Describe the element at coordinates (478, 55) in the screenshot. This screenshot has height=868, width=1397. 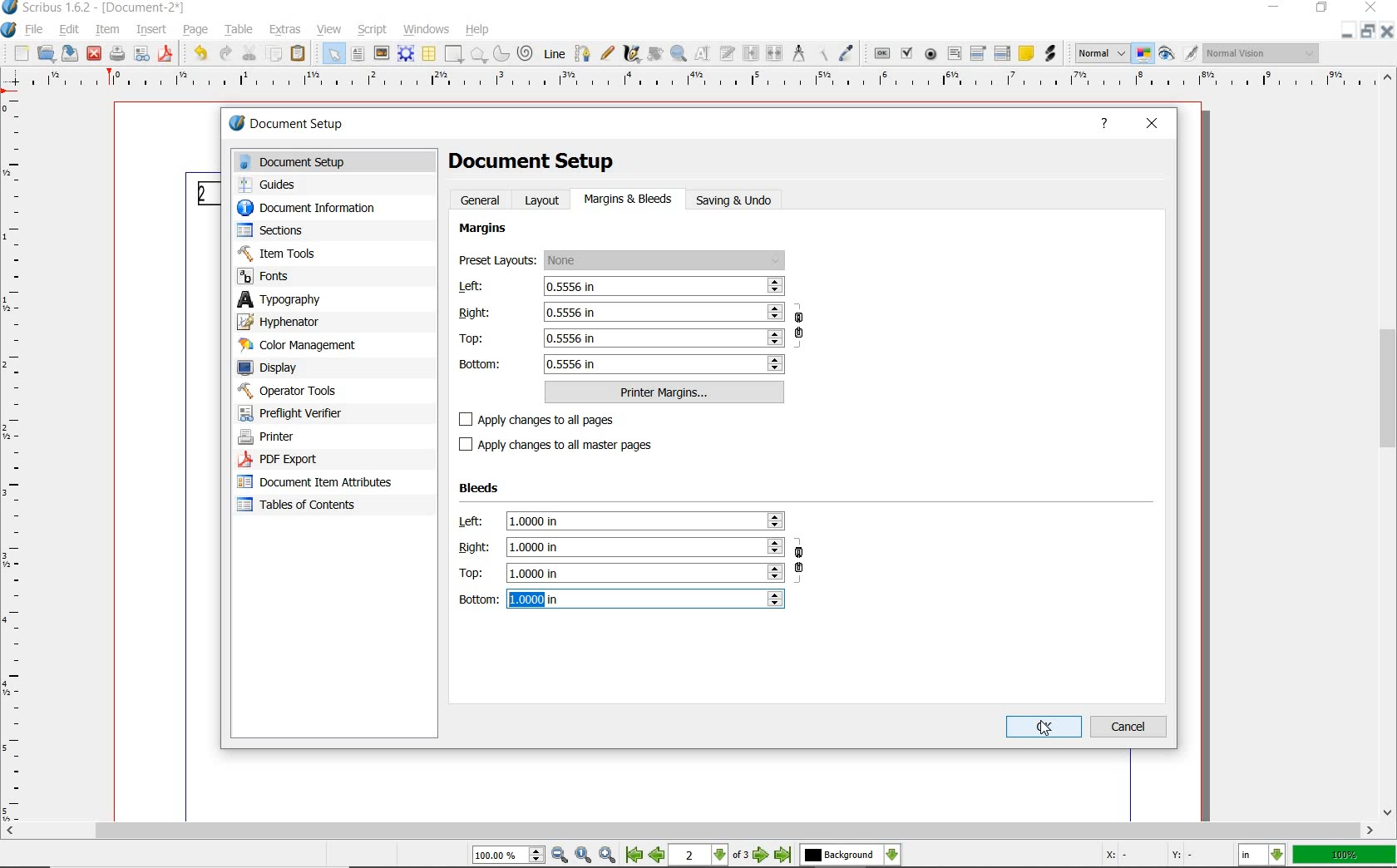
I see `polygon` at that location.